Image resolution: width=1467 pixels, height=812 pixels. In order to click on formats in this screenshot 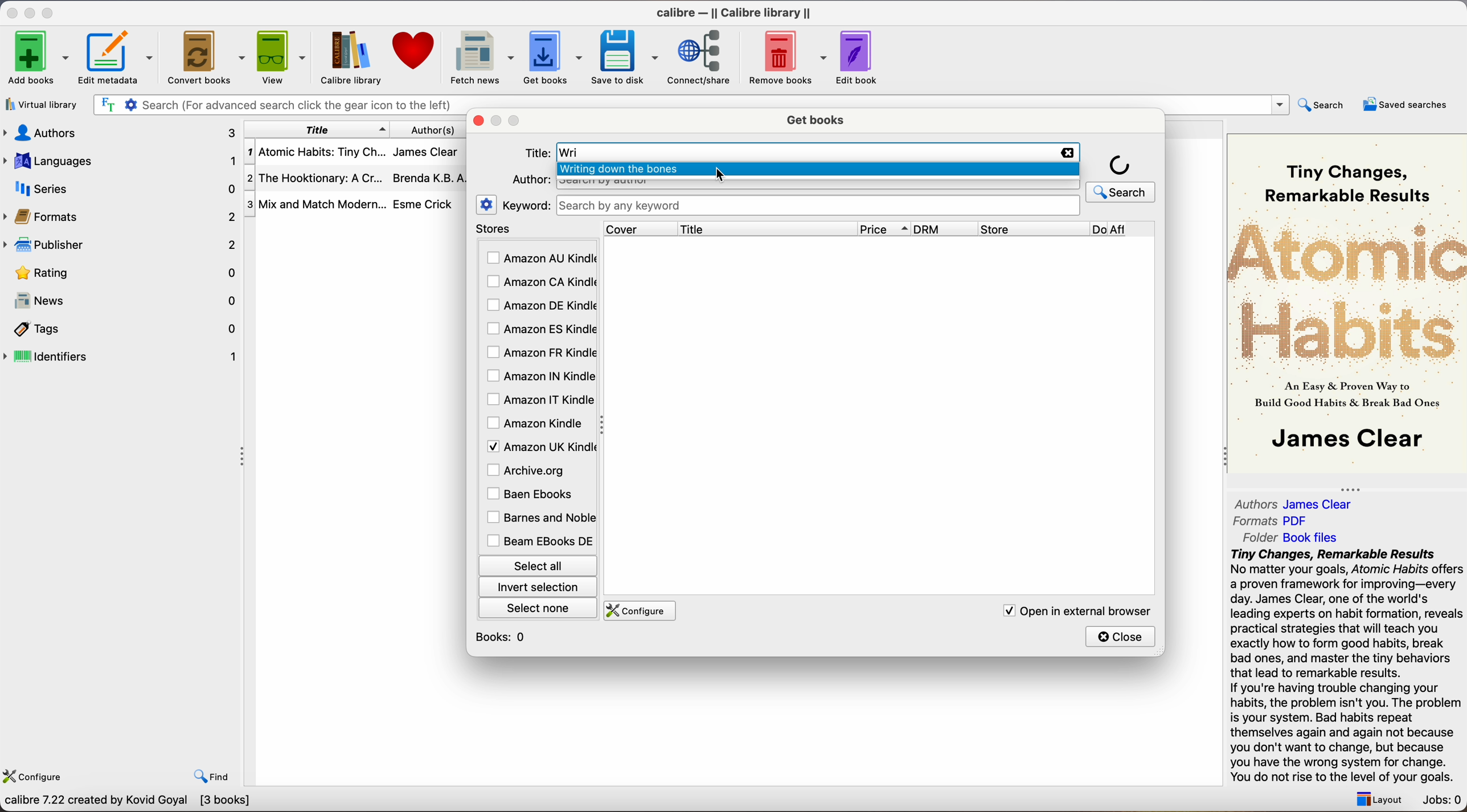, I will do `click(121, 216)`.